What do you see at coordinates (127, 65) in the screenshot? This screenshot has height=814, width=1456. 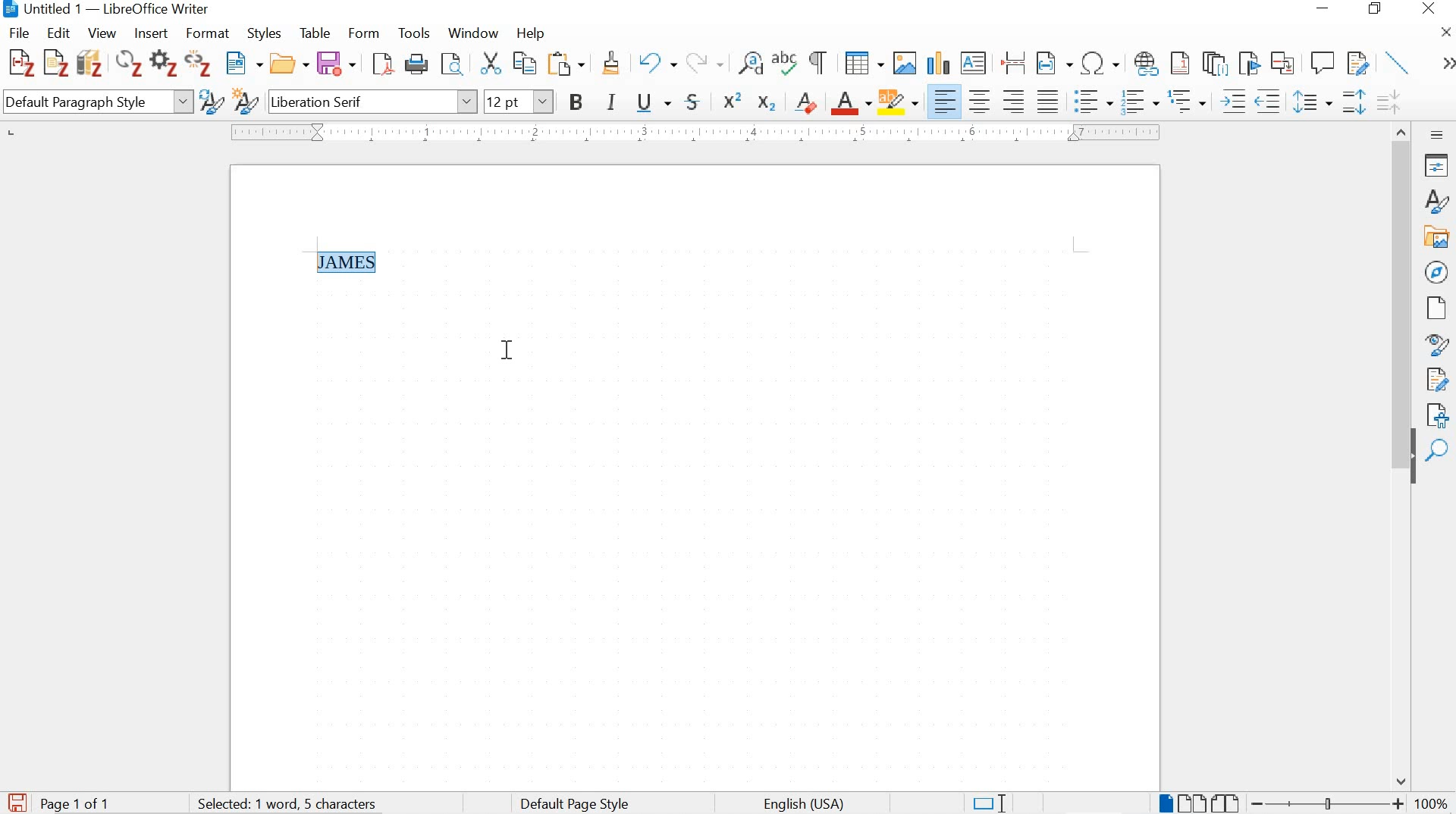 I see `refresh` at bounding box center [127, 65].